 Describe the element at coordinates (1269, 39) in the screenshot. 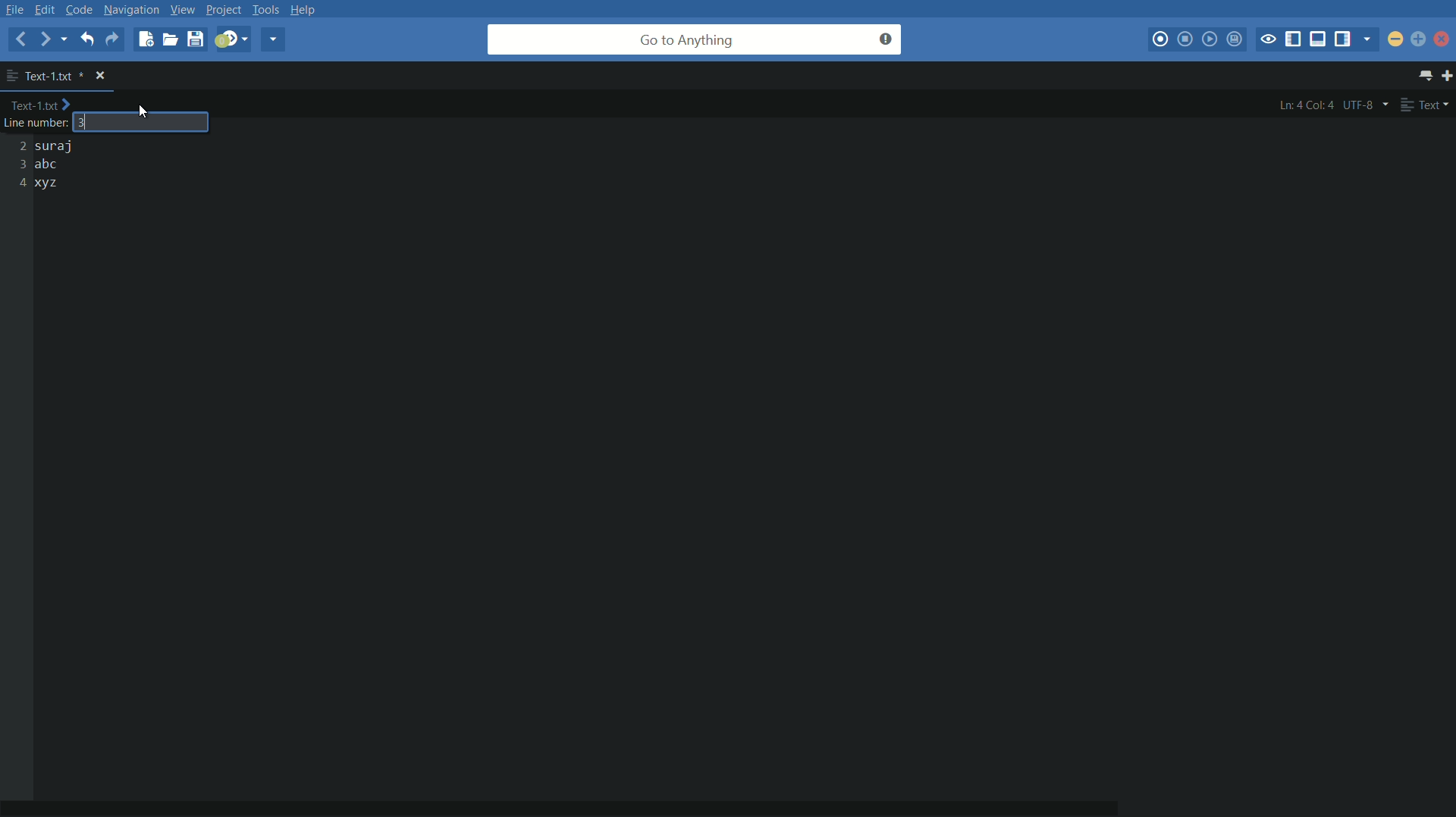

I see `toggle focus mode` at that location.